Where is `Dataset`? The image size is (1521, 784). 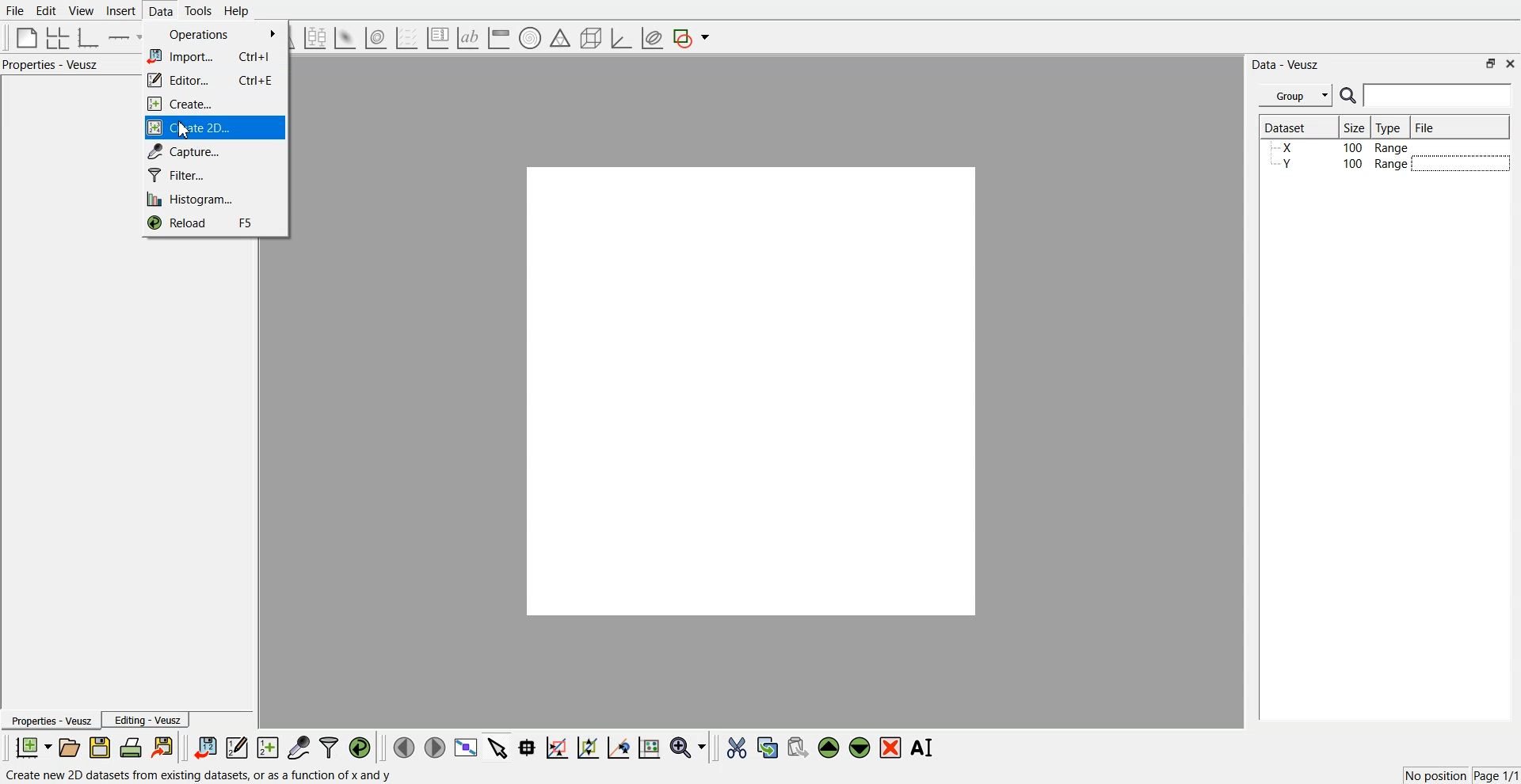 Dataset is located at coordinates (1293, 127).